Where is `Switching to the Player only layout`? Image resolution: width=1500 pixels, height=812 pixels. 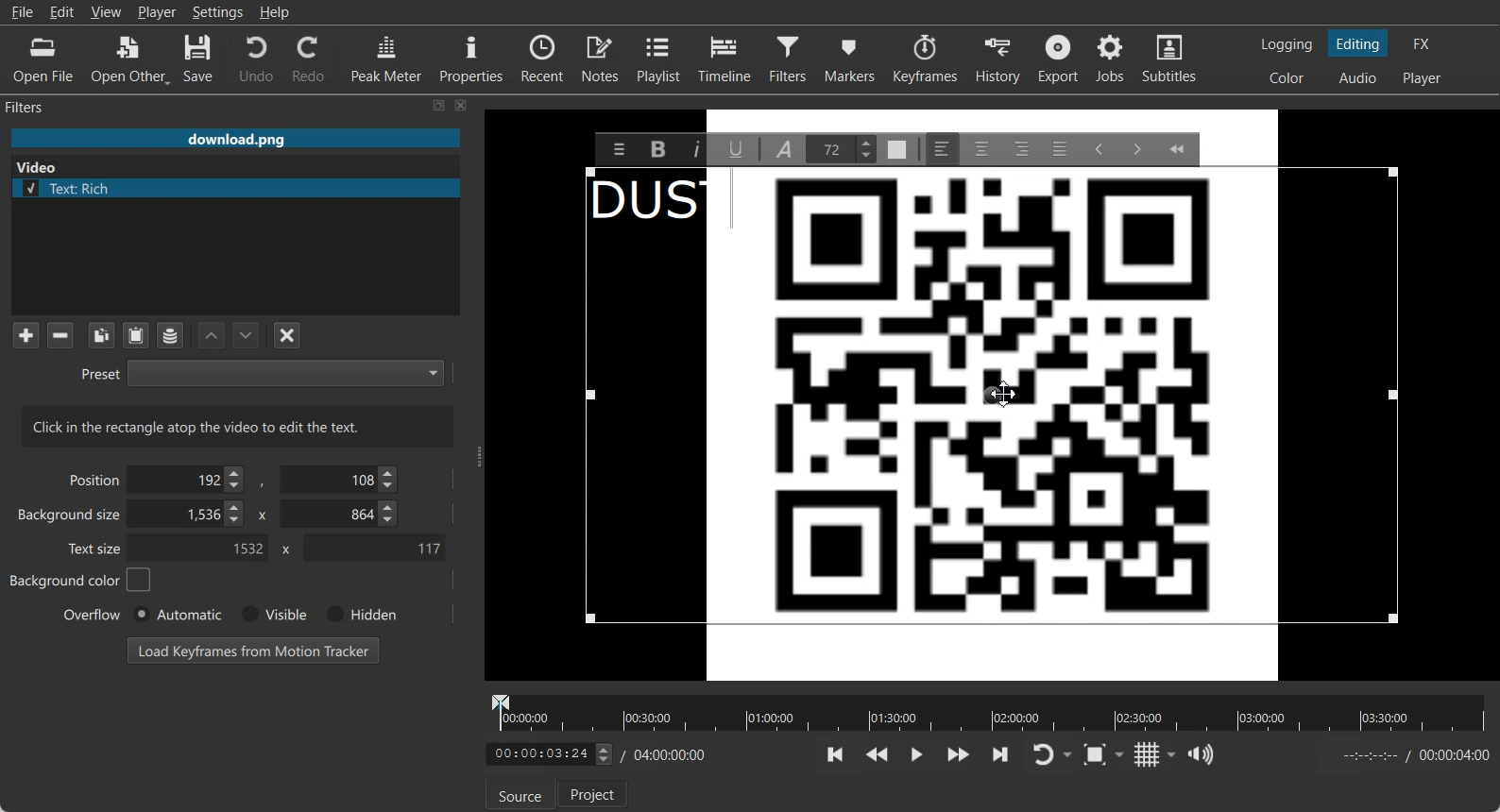 Switching to the Player only layout is located at coordinates (1423, 78).